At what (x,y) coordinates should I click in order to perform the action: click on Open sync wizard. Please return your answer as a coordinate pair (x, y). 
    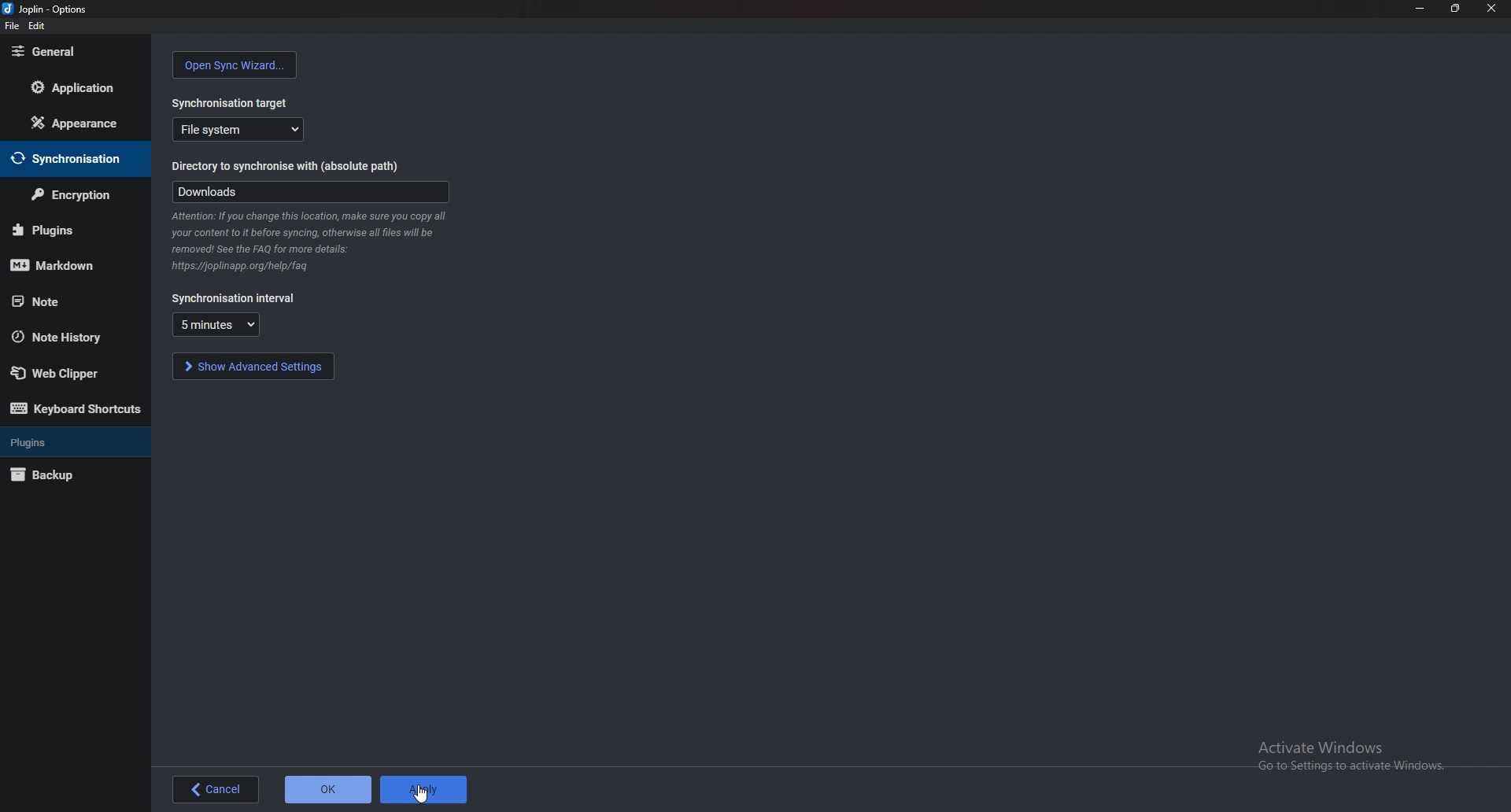
    Looking at the image, I should click on (235, 65).